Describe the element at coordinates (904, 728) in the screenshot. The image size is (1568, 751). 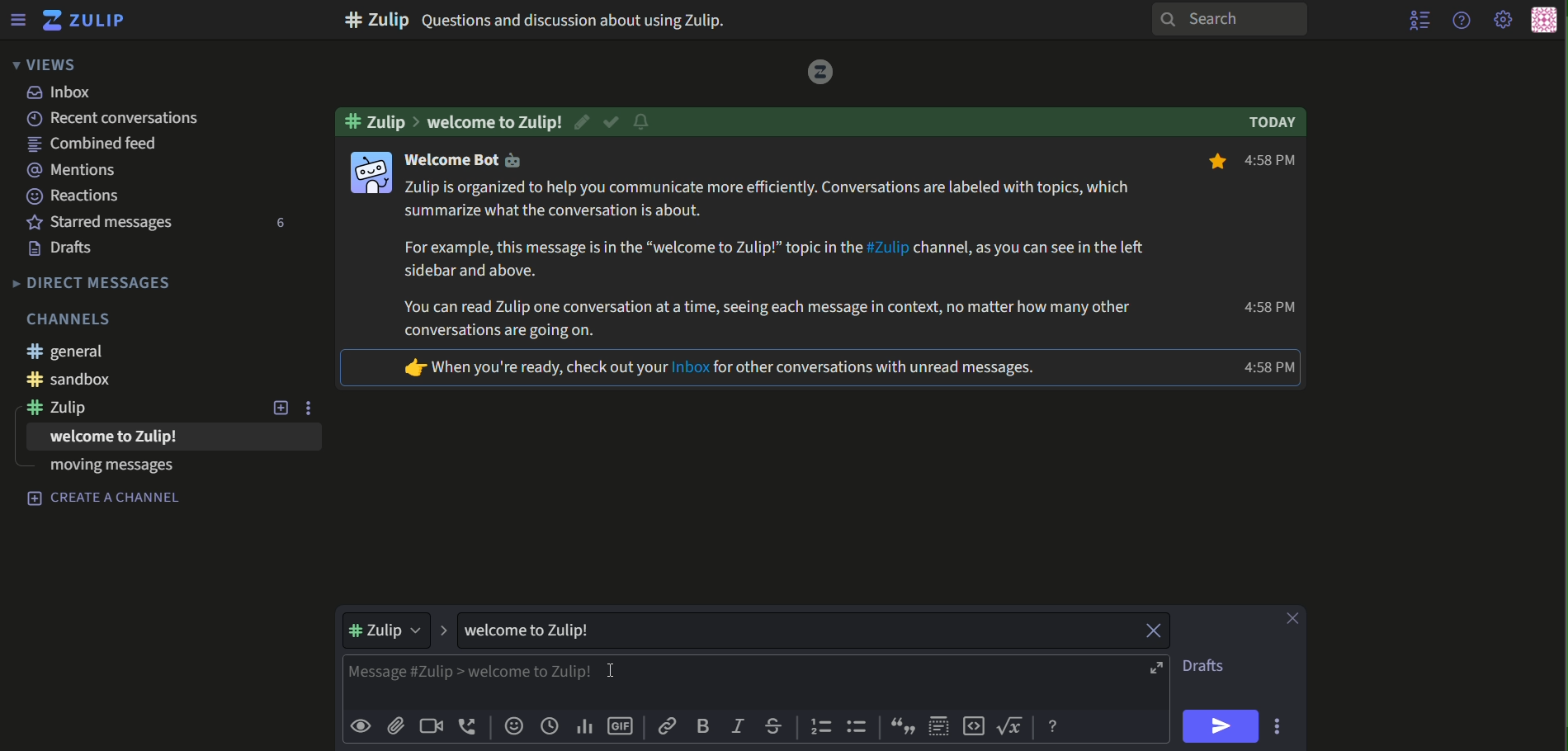
I see `quote` at that location.